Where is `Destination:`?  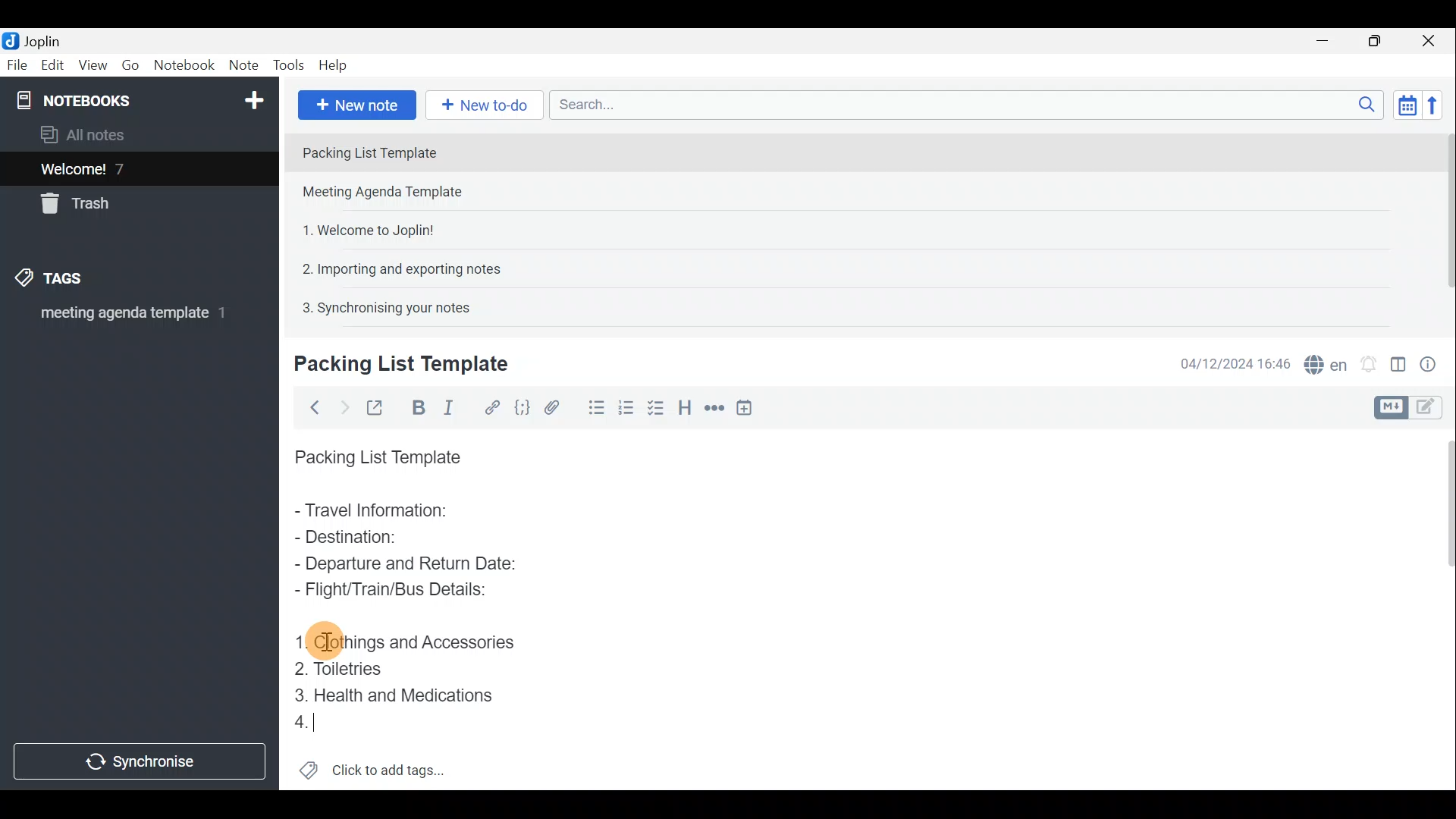
Destination: is located at coordinates (385, 538).